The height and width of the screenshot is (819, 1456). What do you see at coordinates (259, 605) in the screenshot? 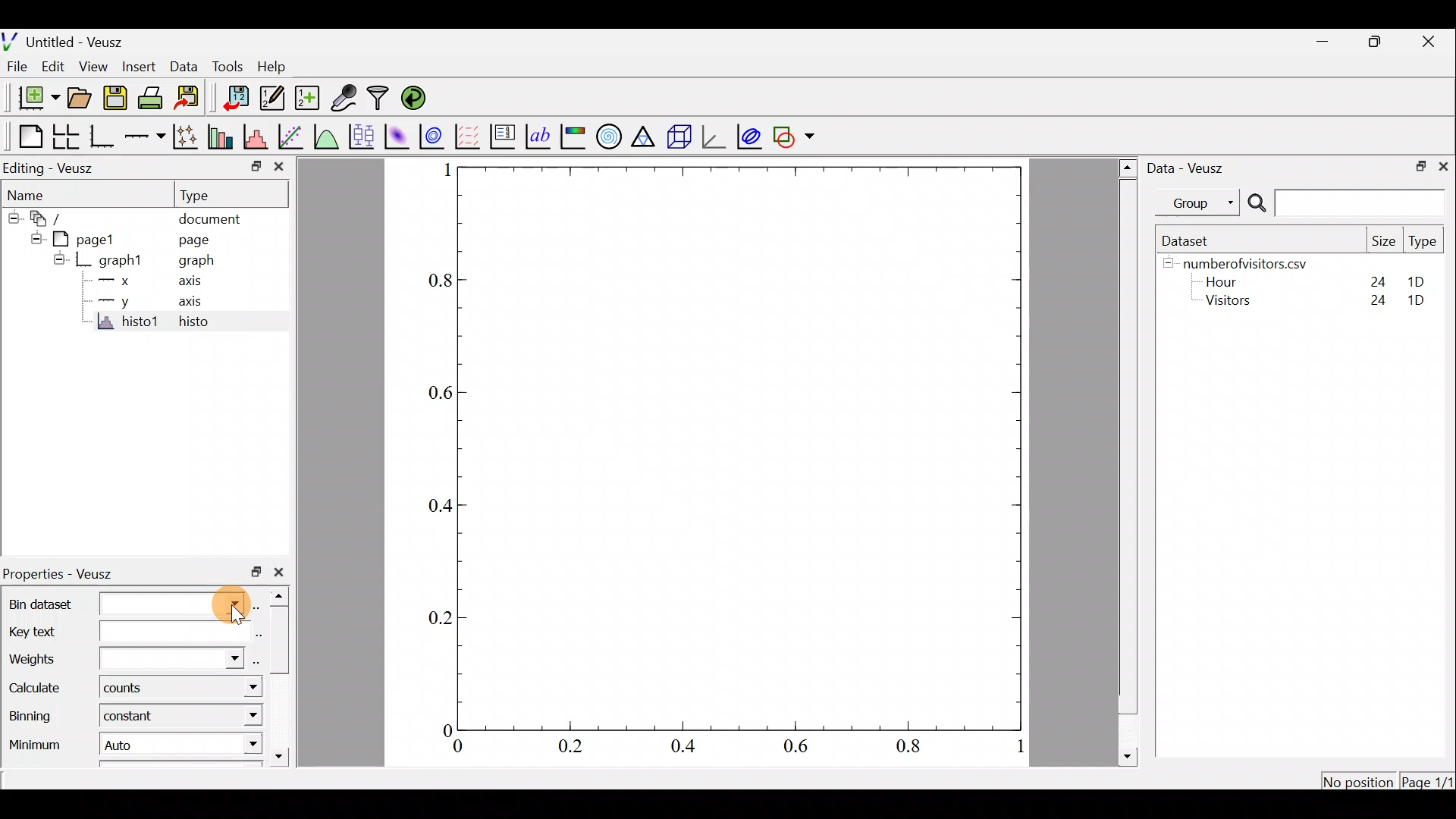
I see `select using dataset browser` at bounding box center [259, 605].